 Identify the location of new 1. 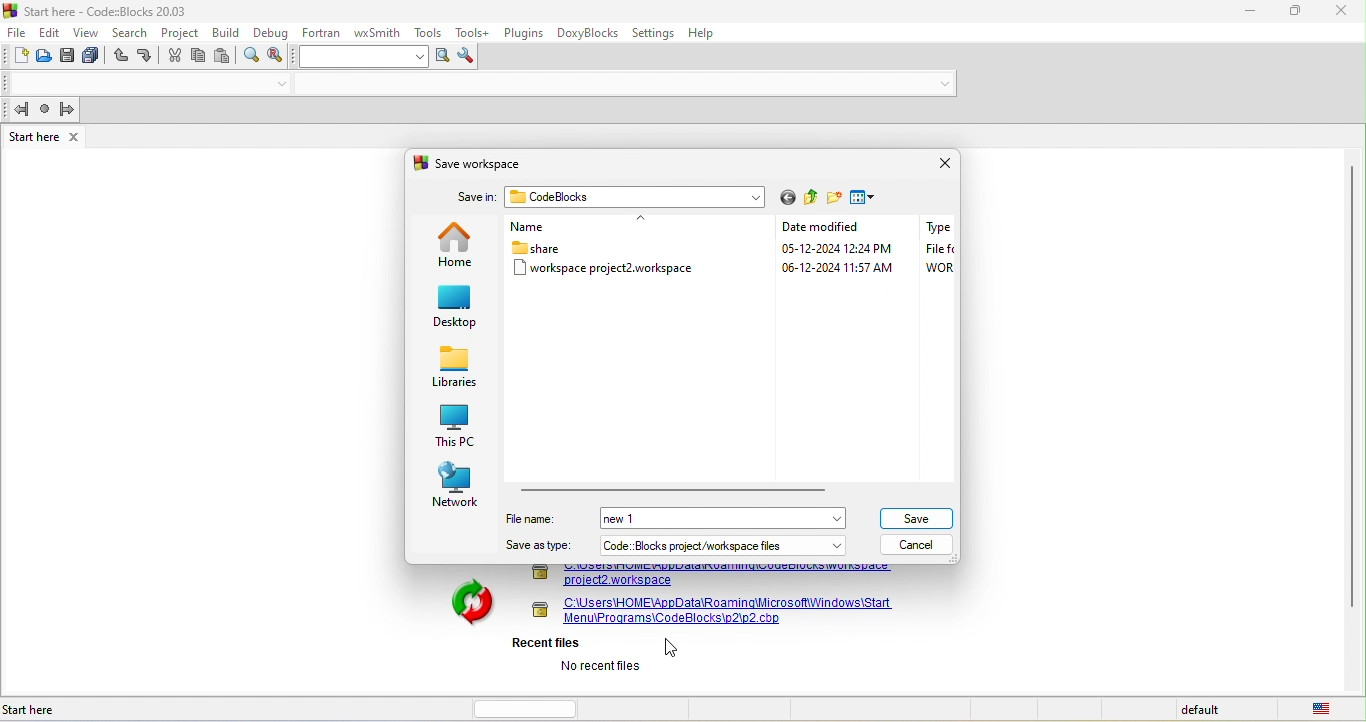
(637, 520).